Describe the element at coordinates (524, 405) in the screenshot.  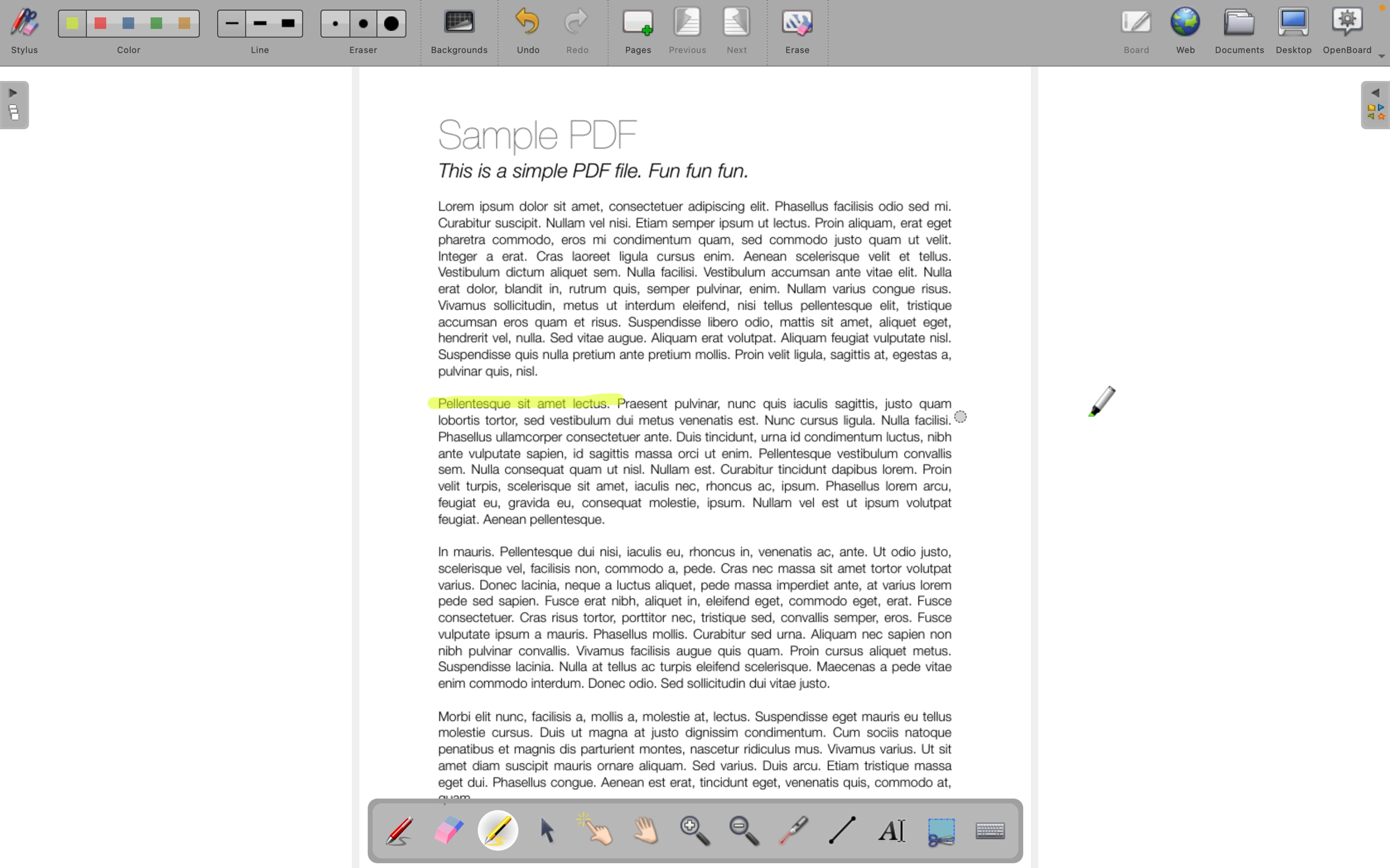
I see `highlighted text` at that location.